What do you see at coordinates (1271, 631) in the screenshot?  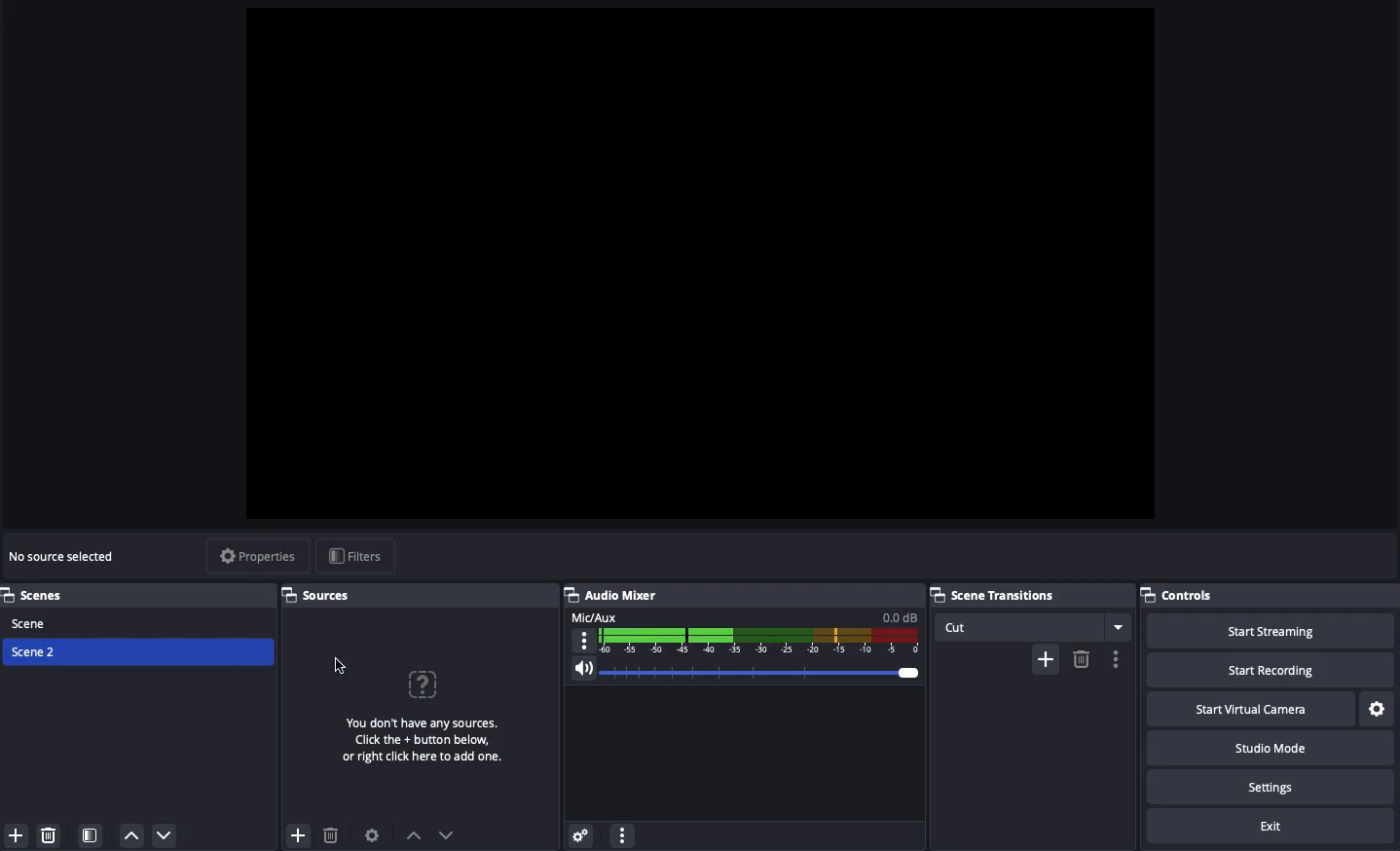 I see `Start streaming` at bounding box center [1271, 631].